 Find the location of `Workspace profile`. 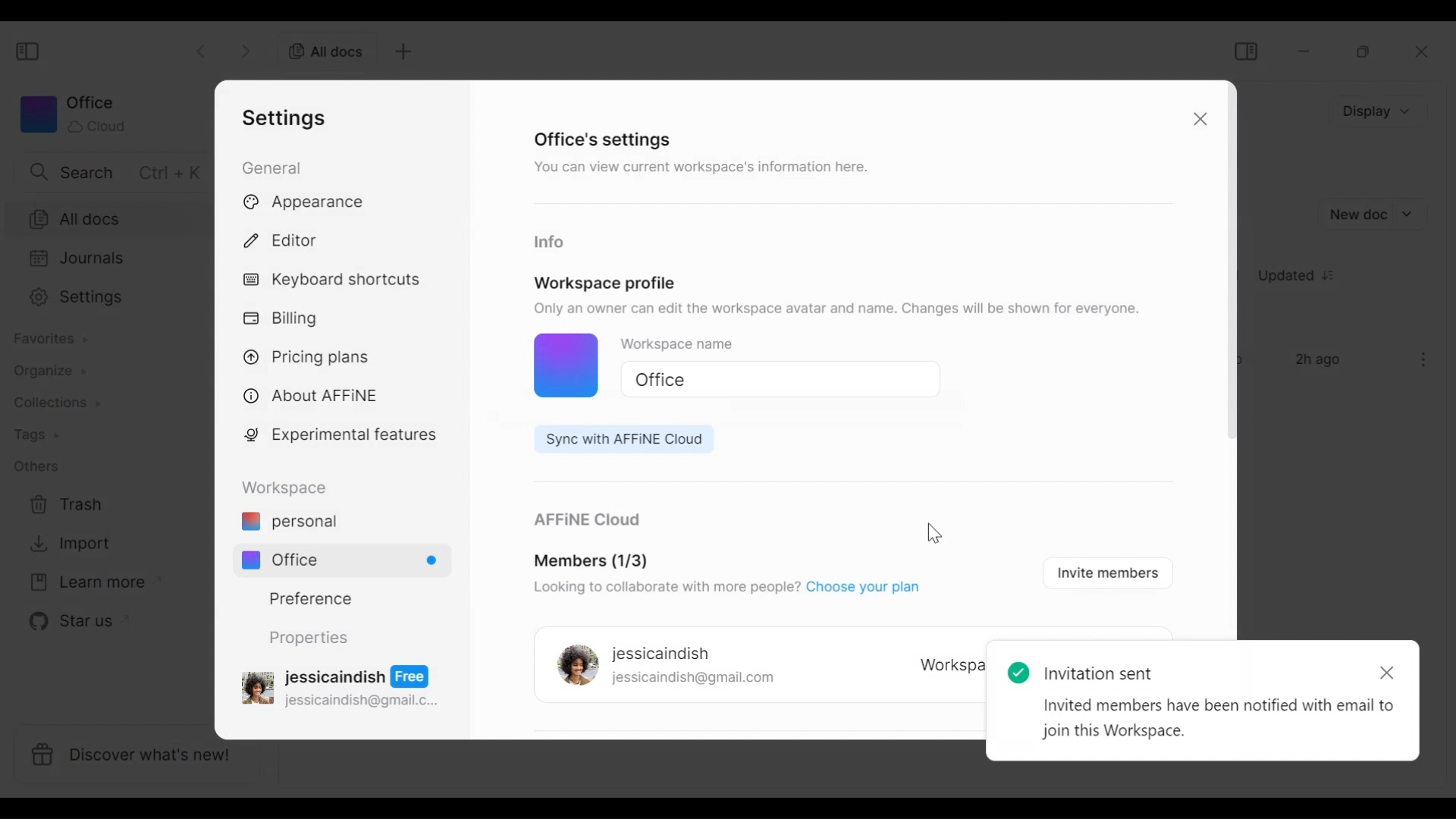

Workspace profile is located at coordinates (605, 283).